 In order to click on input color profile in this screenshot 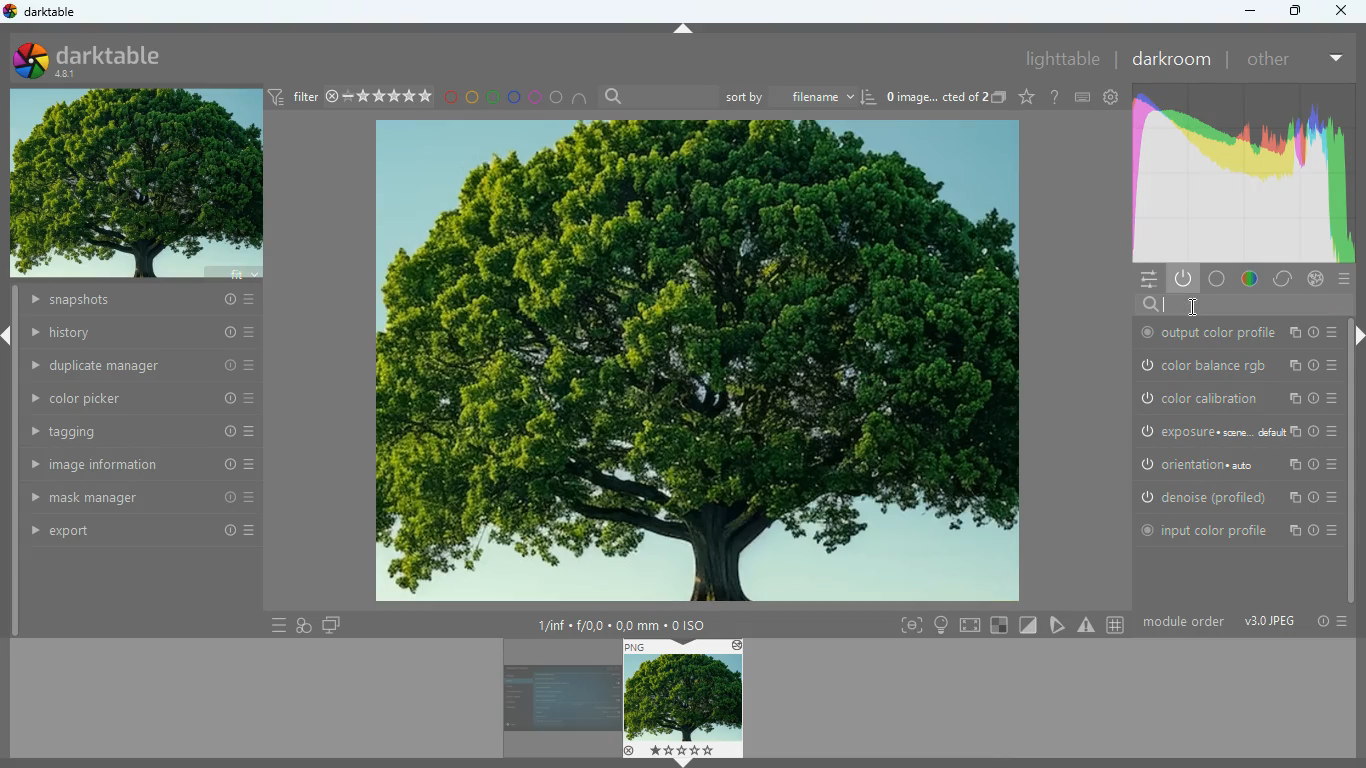, I will do `click(1236, 530)`.